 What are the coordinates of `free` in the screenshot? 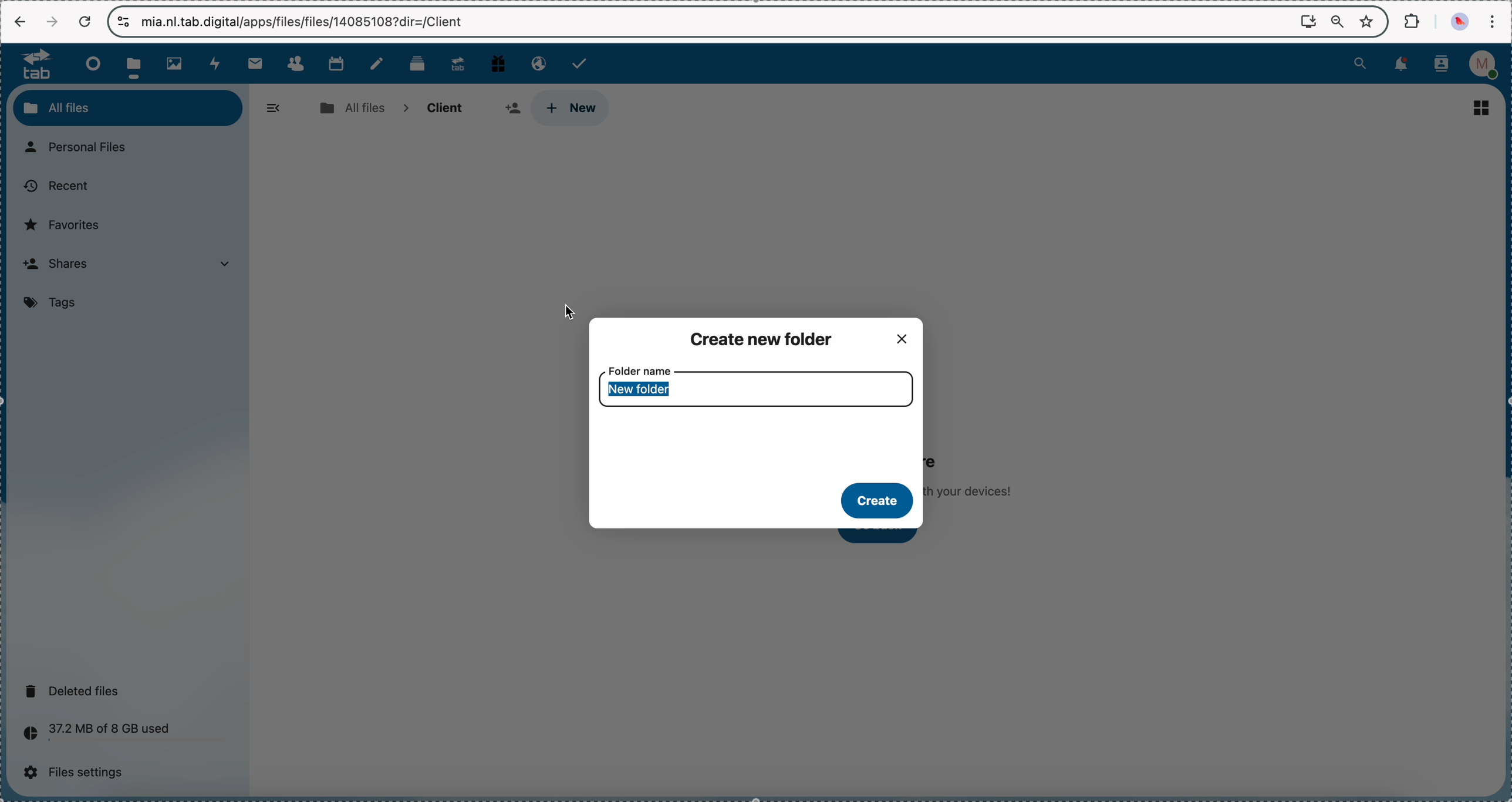 It's located at (498, 62).